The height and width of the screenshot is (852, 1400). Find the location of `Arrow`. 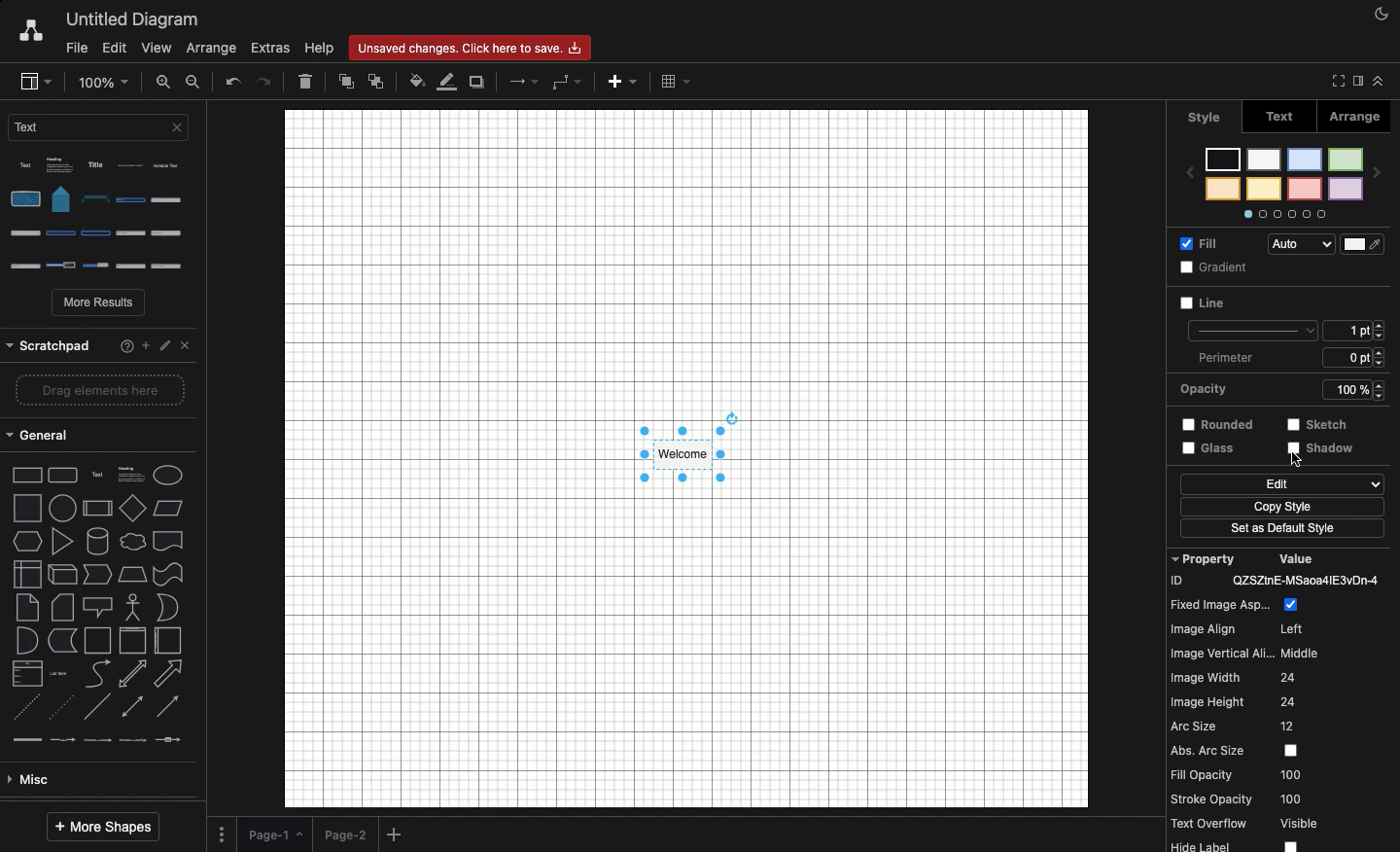

Arrow is located at coordinates (525, 81).